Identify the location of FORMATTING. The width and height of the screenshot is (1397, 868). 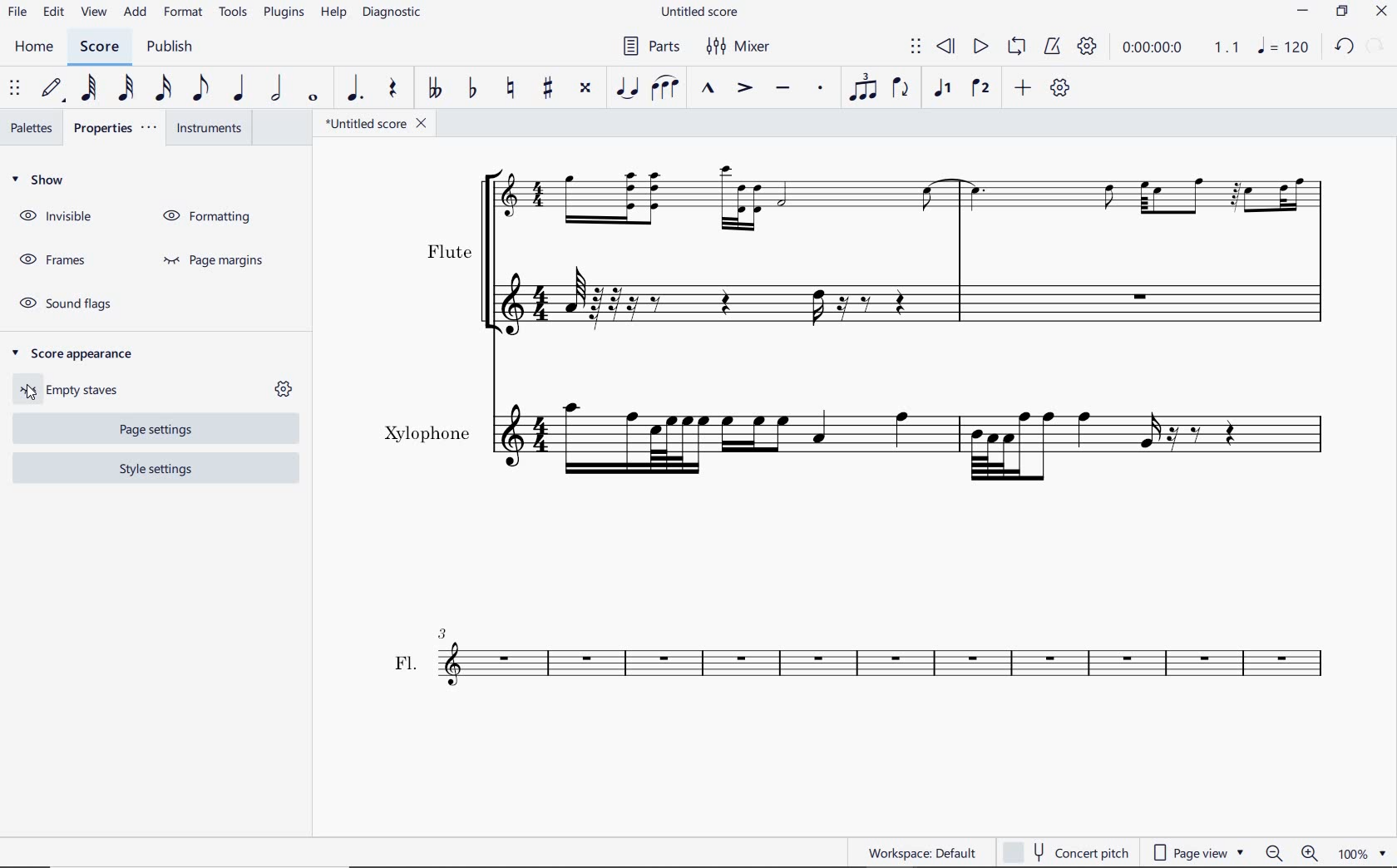
(210, 213).